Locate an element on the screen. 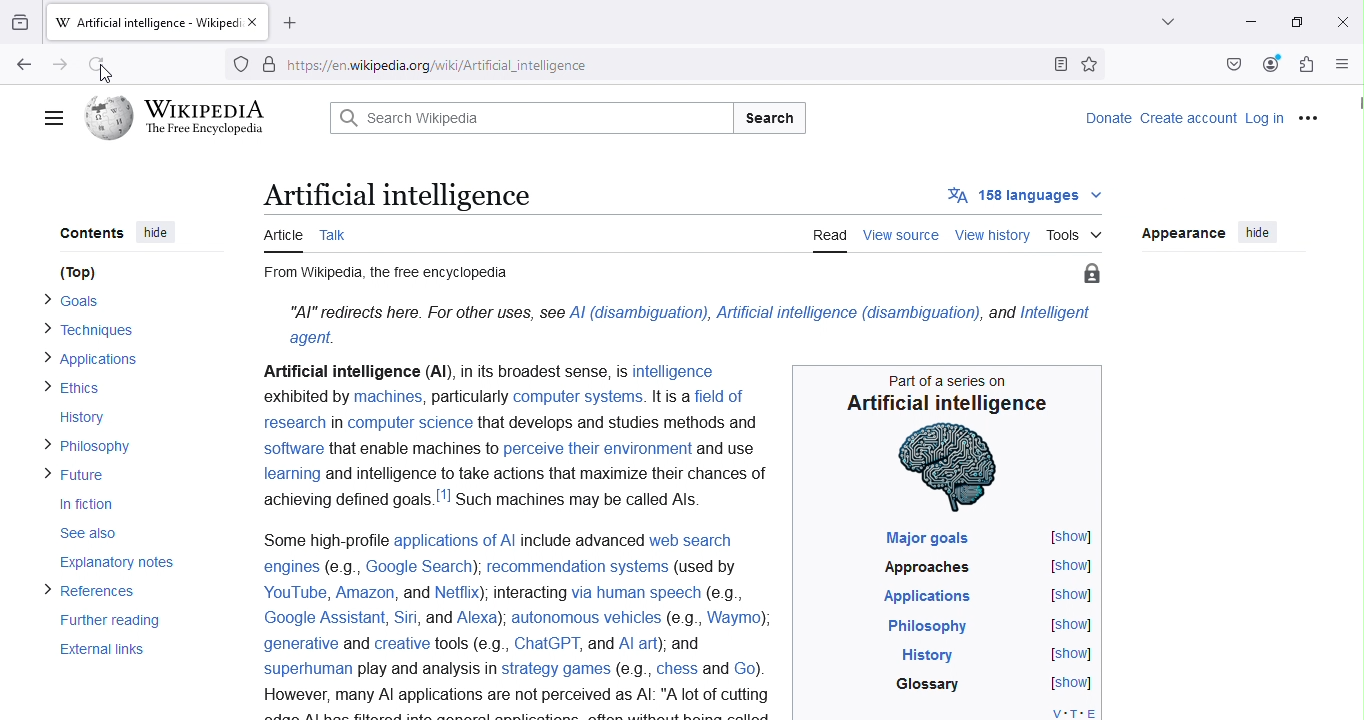 Image resolution: width=1364 pixels, height=720 pixels. Artificial intelligence (Al), in its broadest sense, Is is located at coordinates (441, 371).